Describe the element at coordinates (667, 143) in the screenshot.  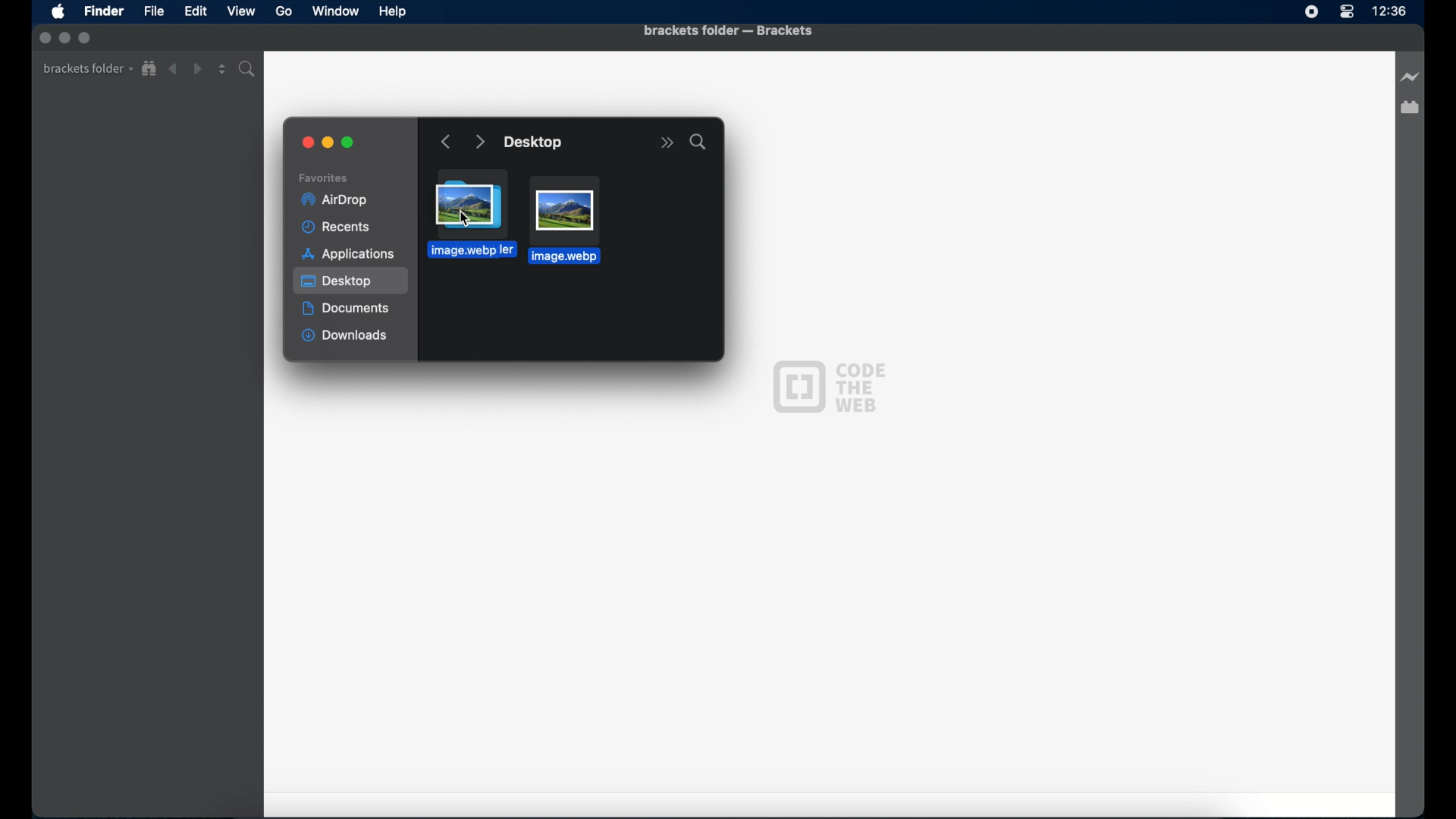
I see `more options` at that location.